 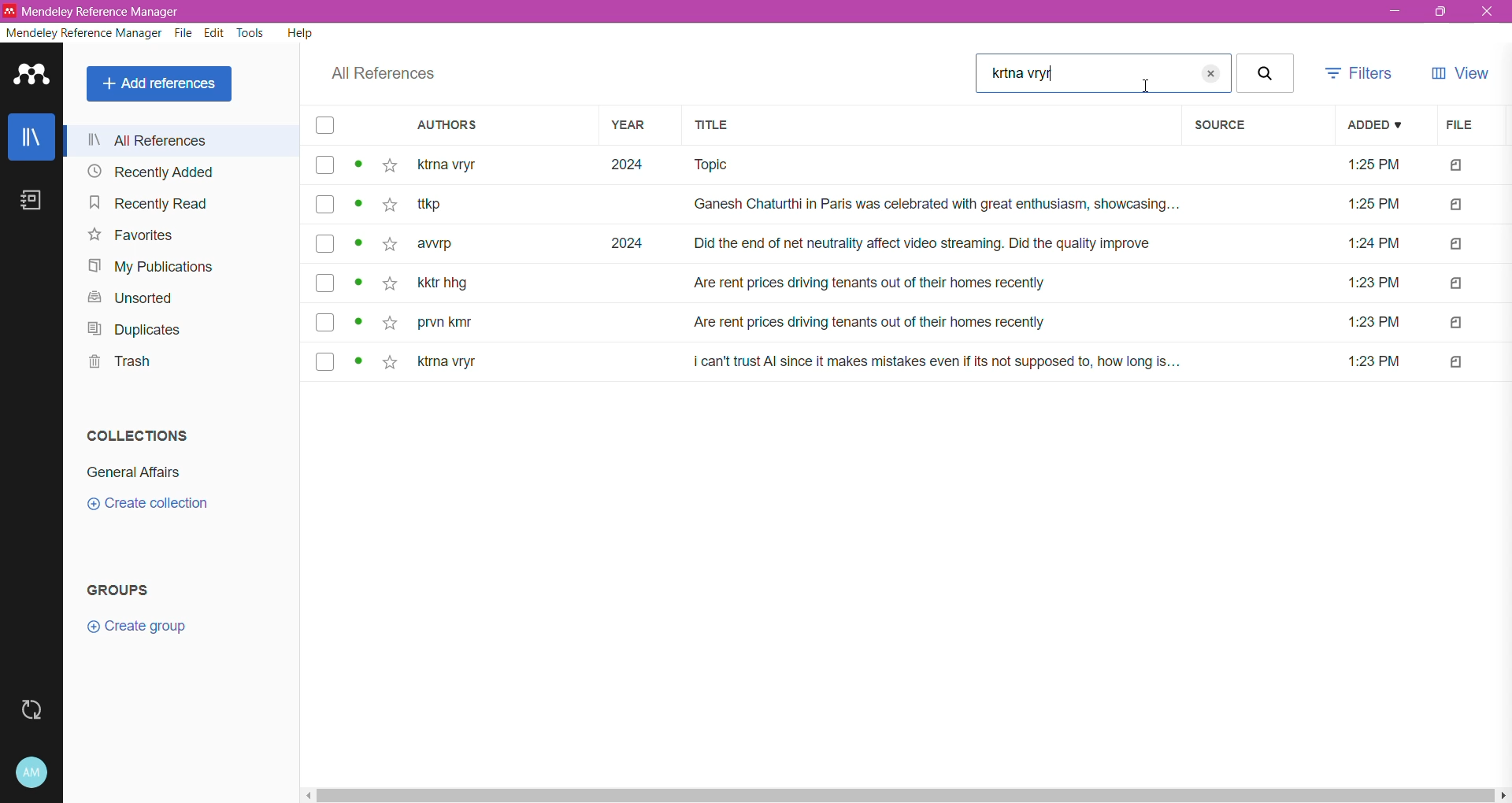 I want to click on move left, so click(x=309, y=796).